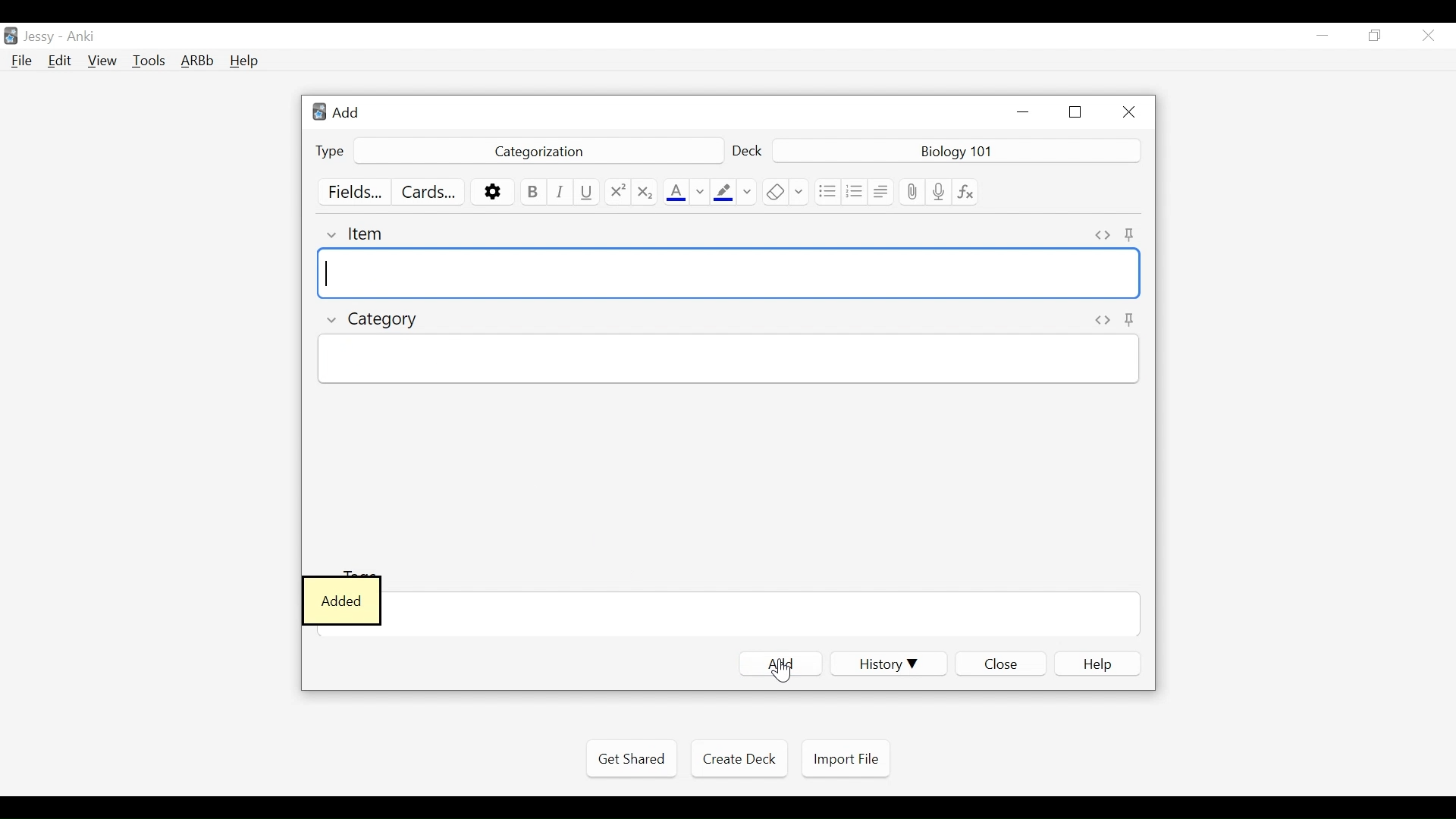 The image size is (1456, 819). What do you see at coordinates (243, 62) in the screenshot?
I see `Help` at bounding box center [243, 62].